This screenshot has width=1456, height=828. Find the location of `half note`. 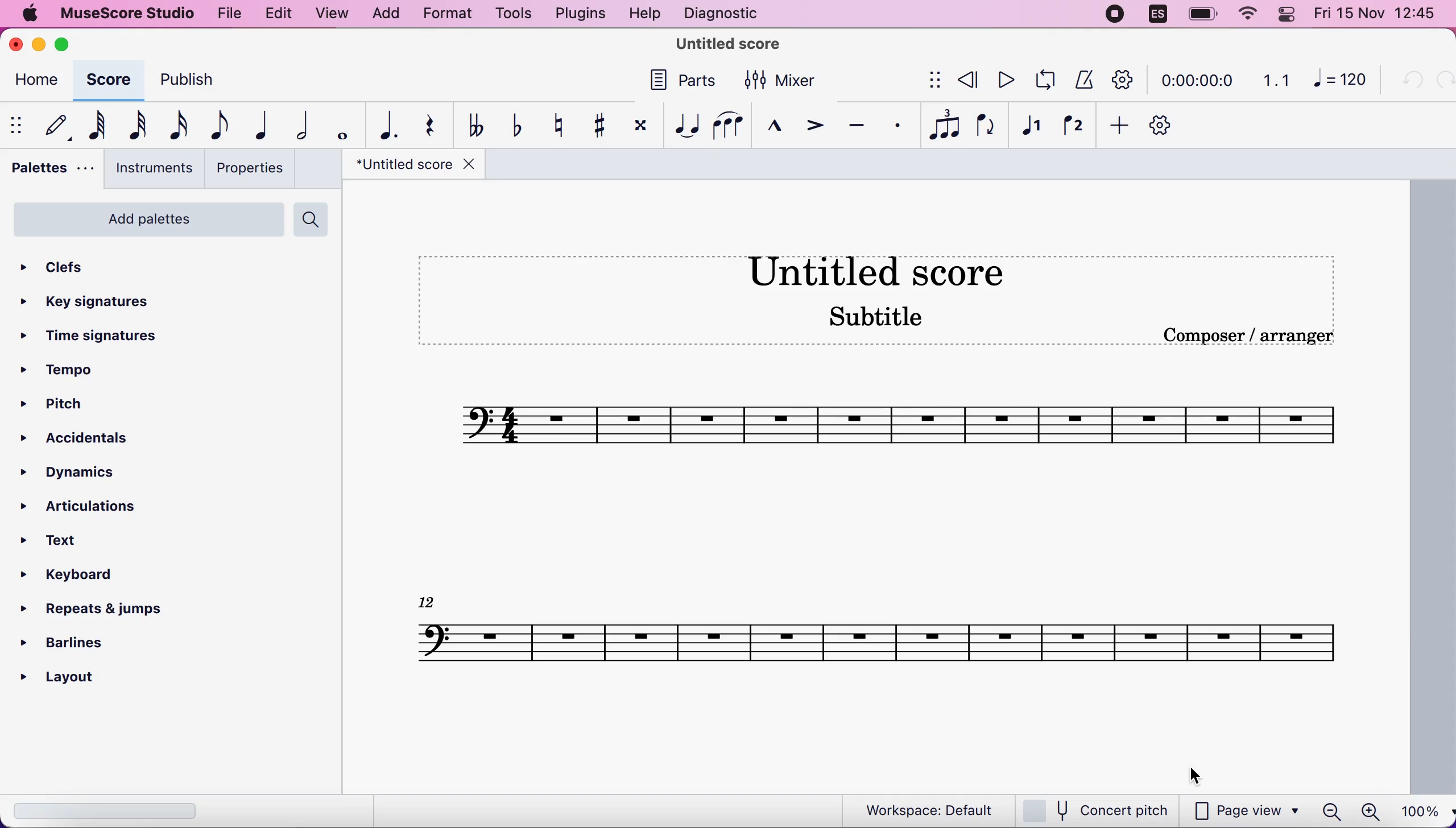

half note is located at coordinates (302, 123).